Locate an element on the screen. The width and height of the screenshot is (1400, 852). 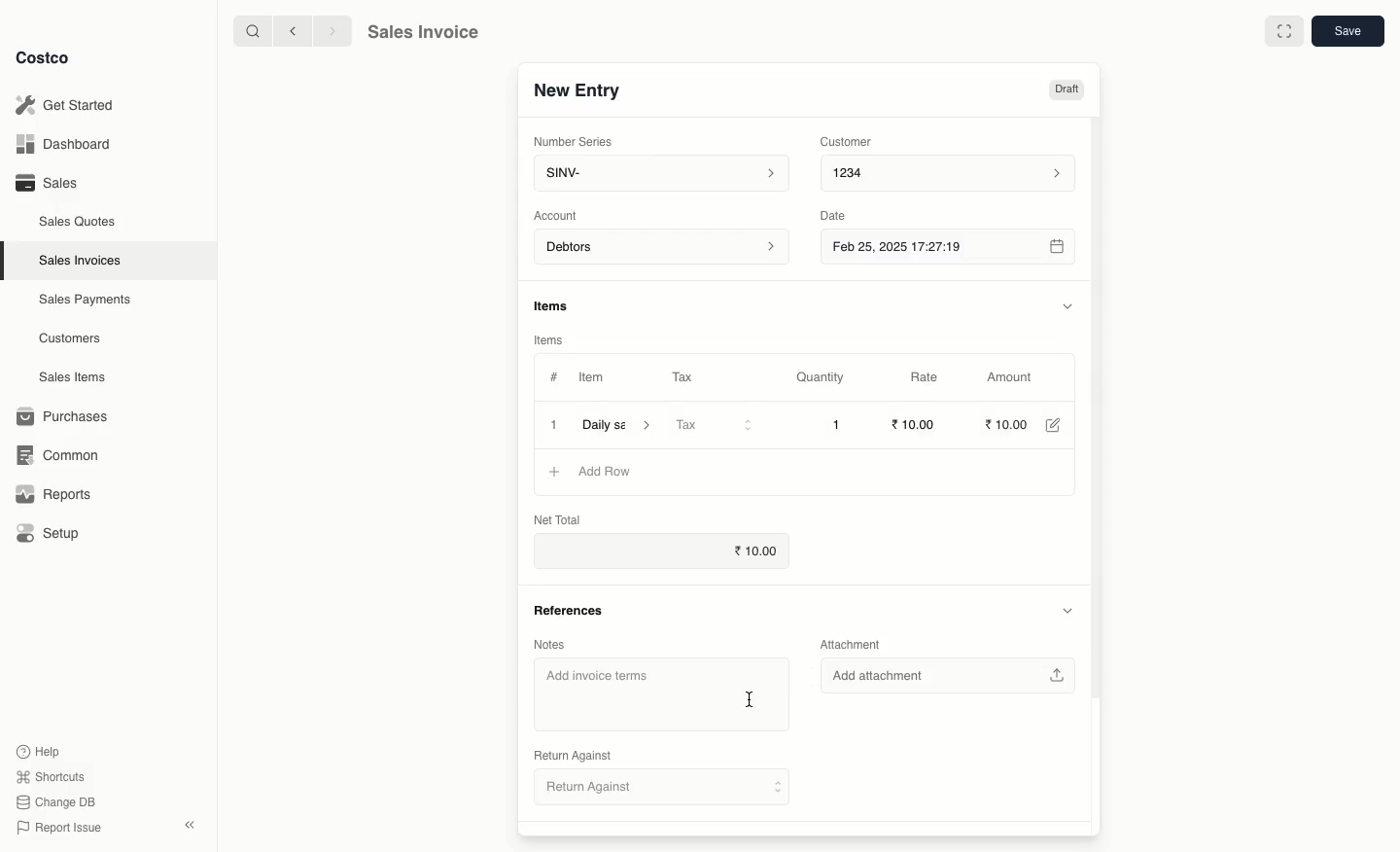
Attachment is located at coordinates (855, 644).